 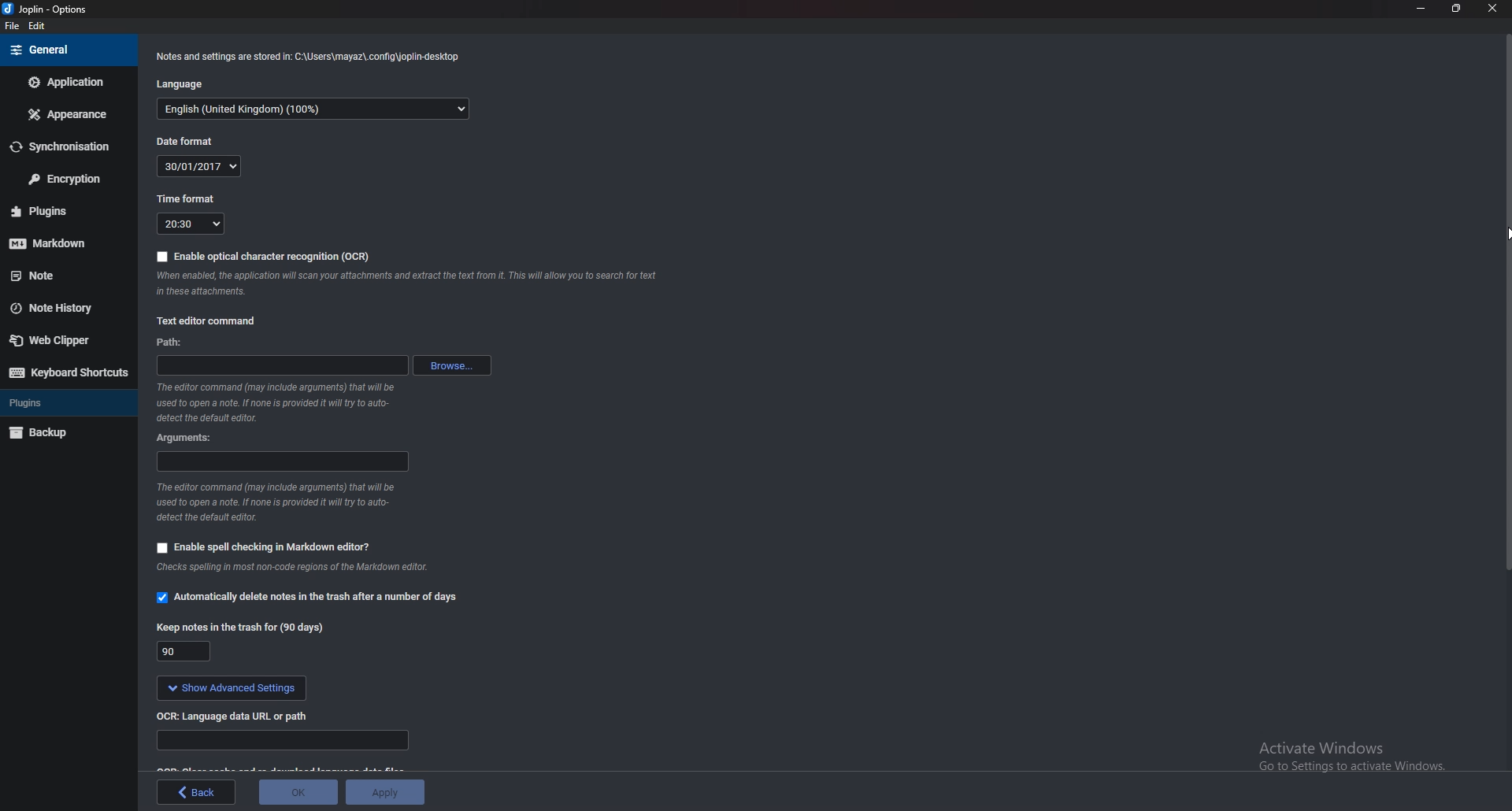 I want to click on Info, so click(x=279, y=501).